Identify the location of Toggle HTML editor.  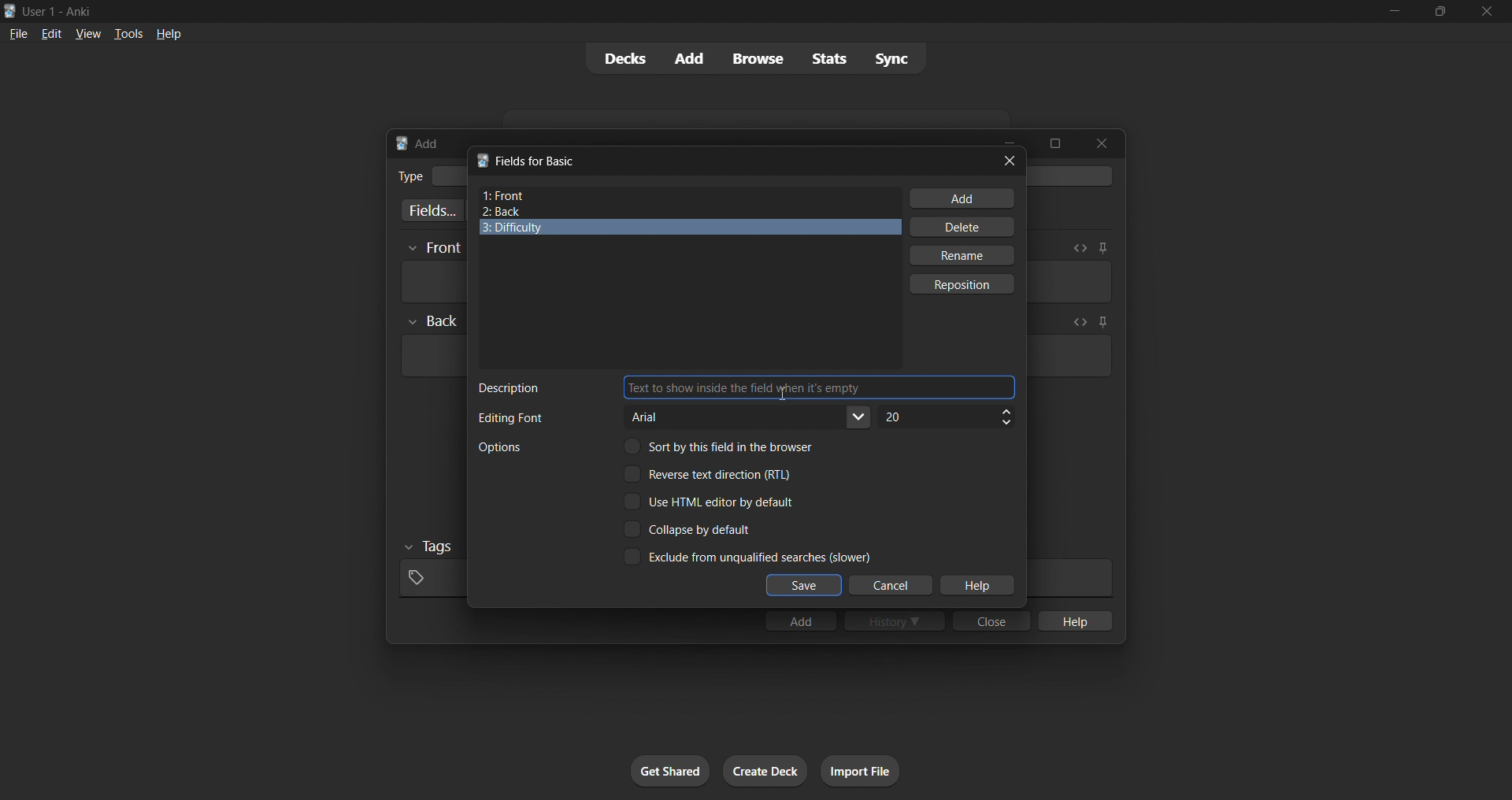
(1080, 248).